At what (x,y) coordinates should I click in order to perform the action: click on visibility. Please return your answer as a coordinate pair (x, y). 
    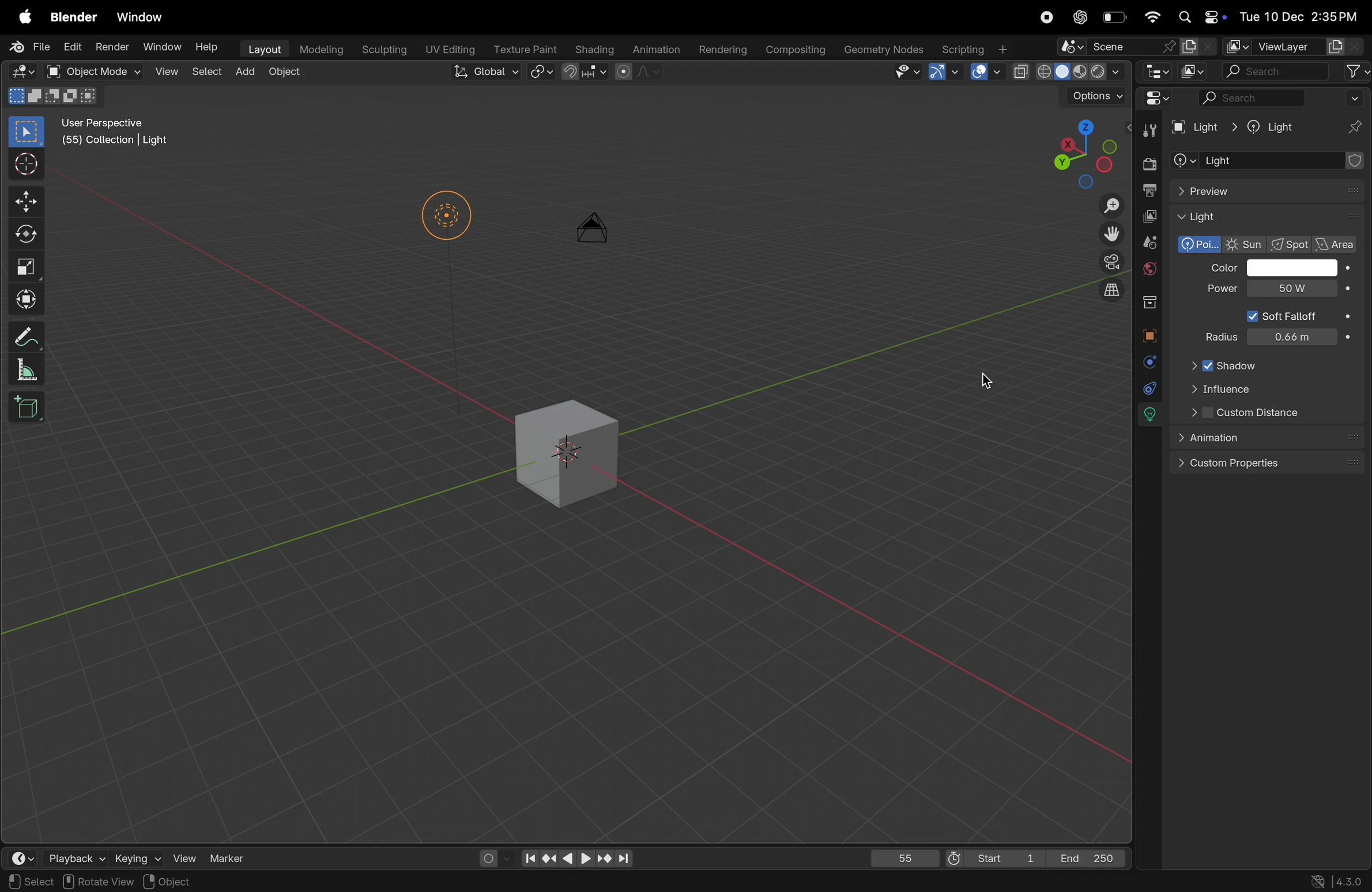
    Looking at the image, I should click on (903, 72).